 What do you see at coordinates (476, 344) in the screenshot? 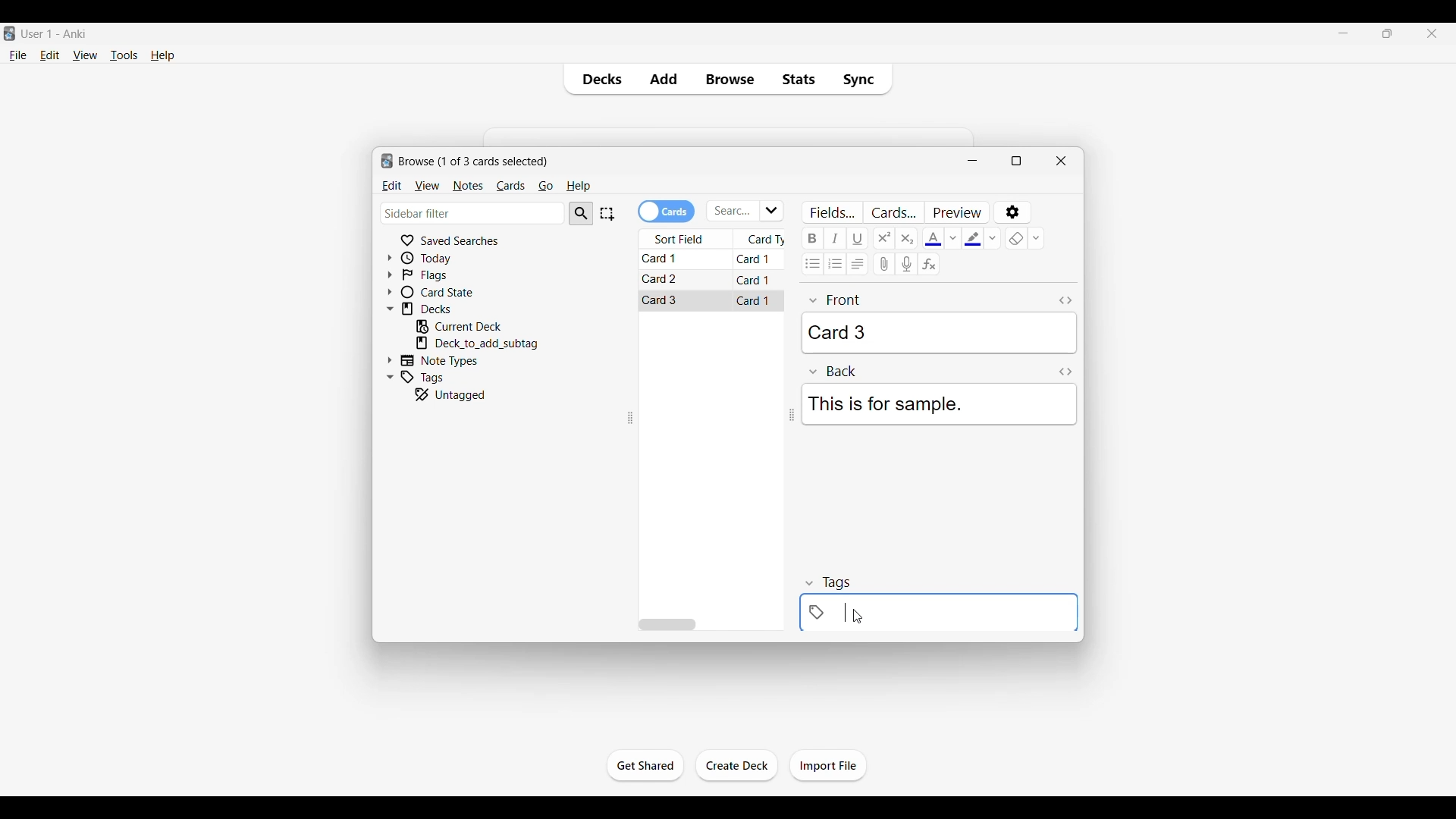
I see `Click to go to mentioned deck` at bounding box center [476, 344].